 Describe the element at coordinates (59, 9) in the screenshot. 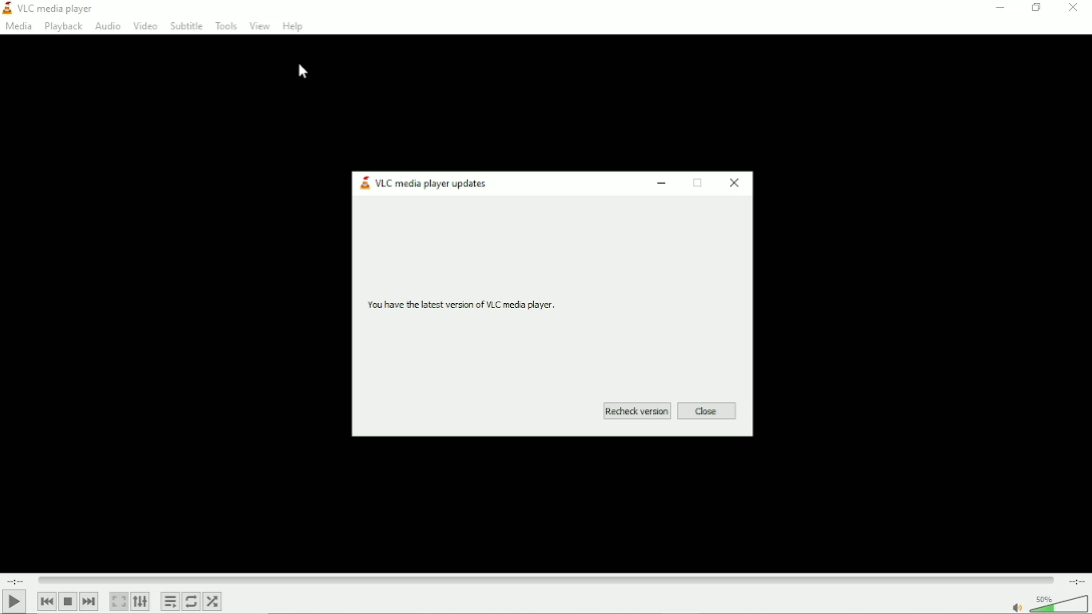

I see `VLC media player` at that location.